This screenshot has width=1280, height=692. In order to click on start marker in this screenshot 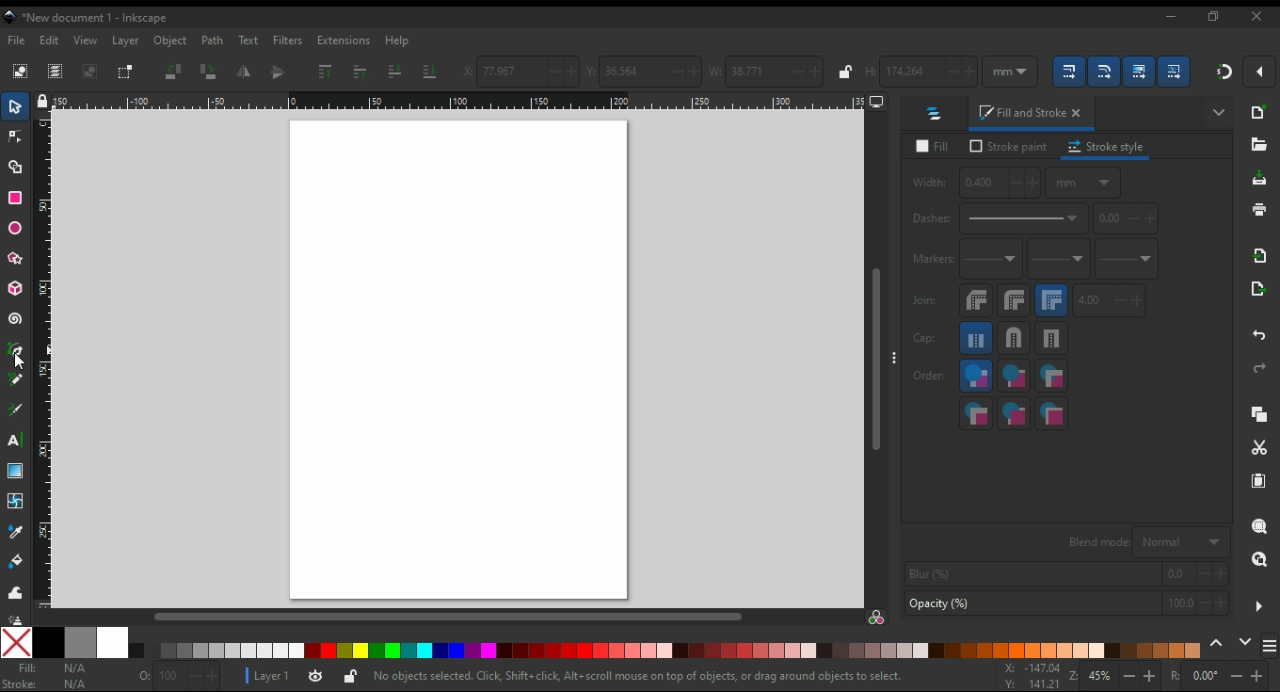, I will do `click(992, 260)`.